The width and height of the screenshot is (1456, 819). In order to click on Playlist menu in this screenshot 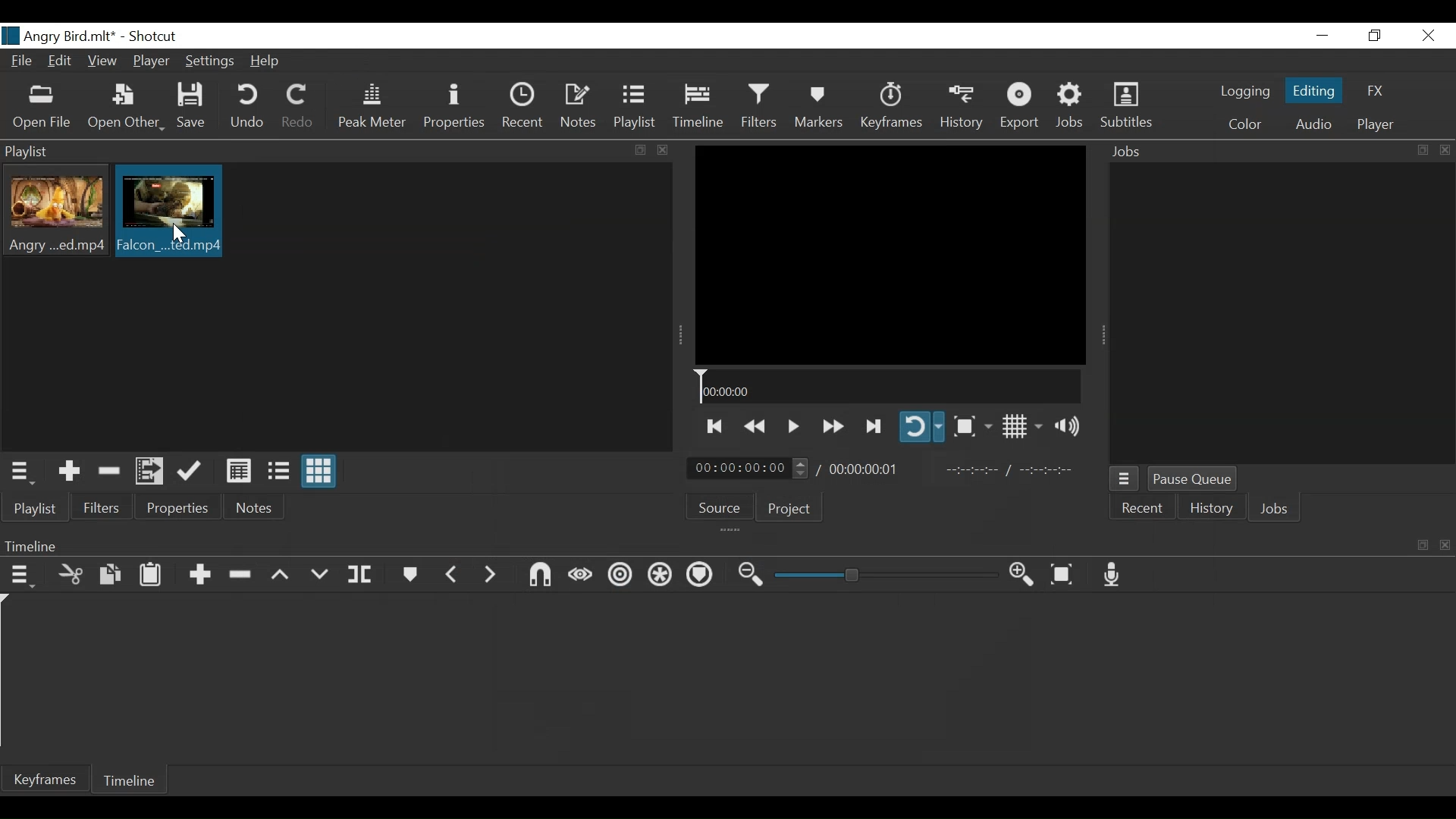, I will do `click(24, 472)`.